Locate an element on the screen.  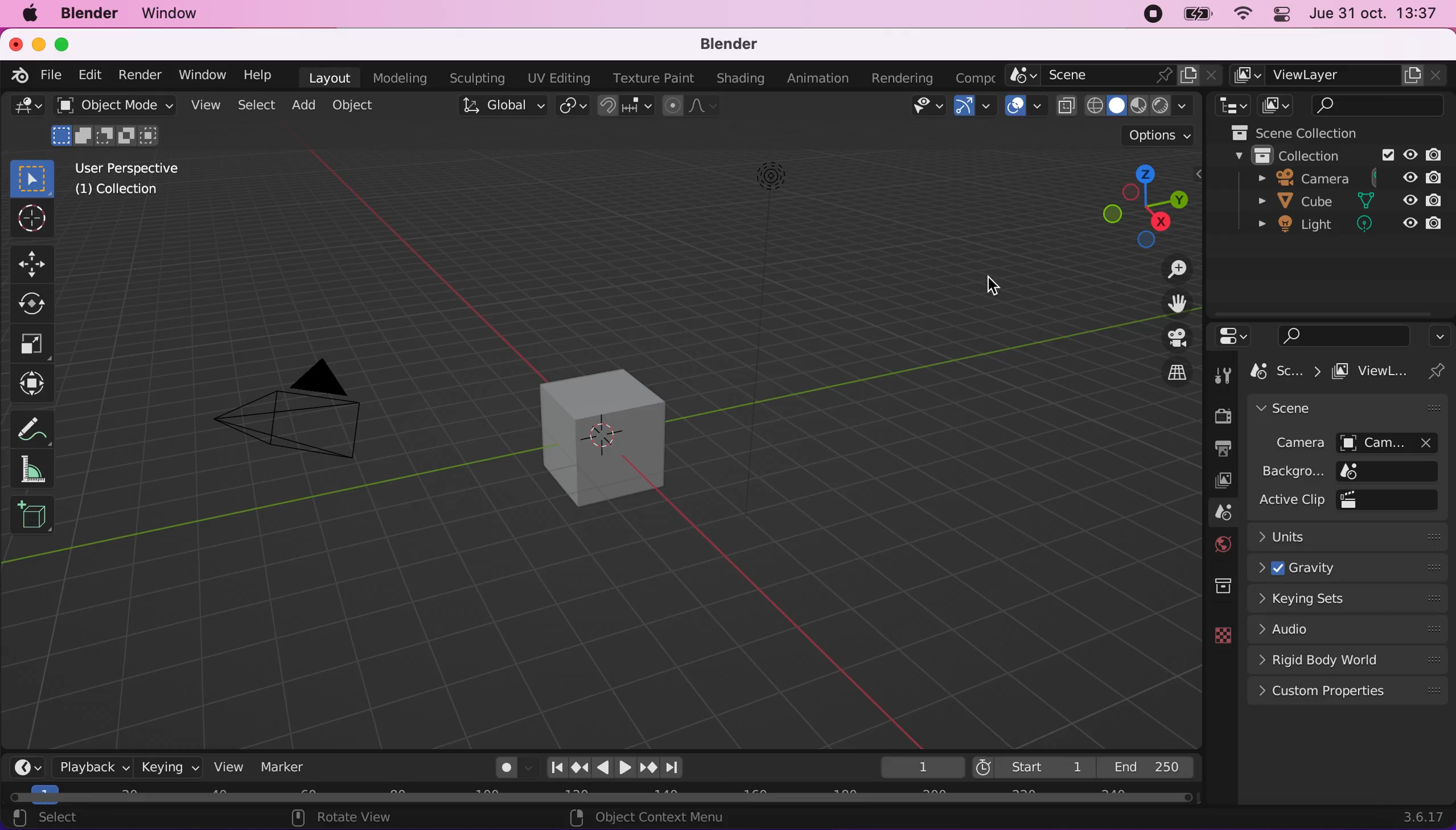
viewlayer is located at coordinates (1341, 76).